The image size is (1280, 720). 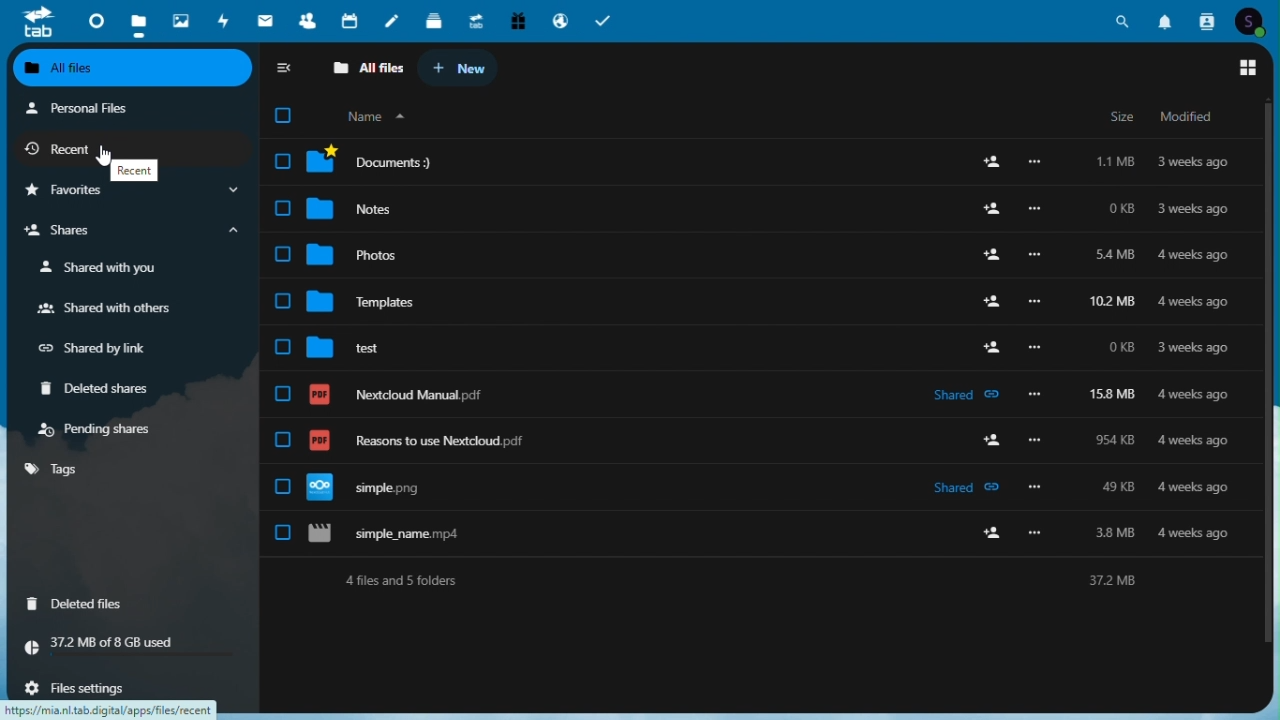 What do you see at coordinates (135, 231) in the screenshot?
I see `Shares` at bounding box center [135, 231].